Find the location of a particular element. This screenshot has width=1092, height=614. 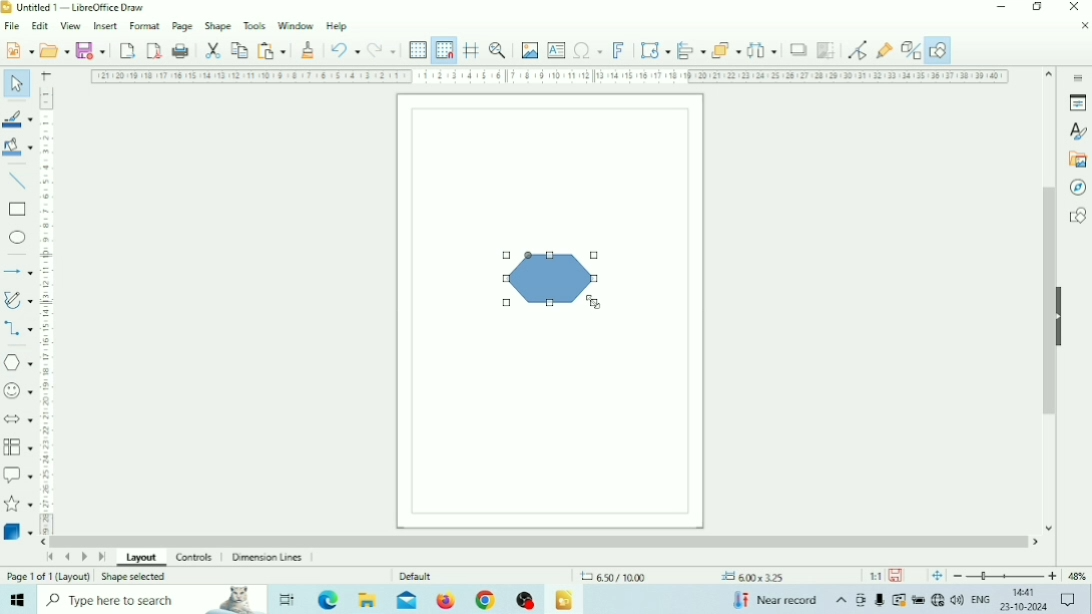

Restore Down is located at coordinates (1037, 7).